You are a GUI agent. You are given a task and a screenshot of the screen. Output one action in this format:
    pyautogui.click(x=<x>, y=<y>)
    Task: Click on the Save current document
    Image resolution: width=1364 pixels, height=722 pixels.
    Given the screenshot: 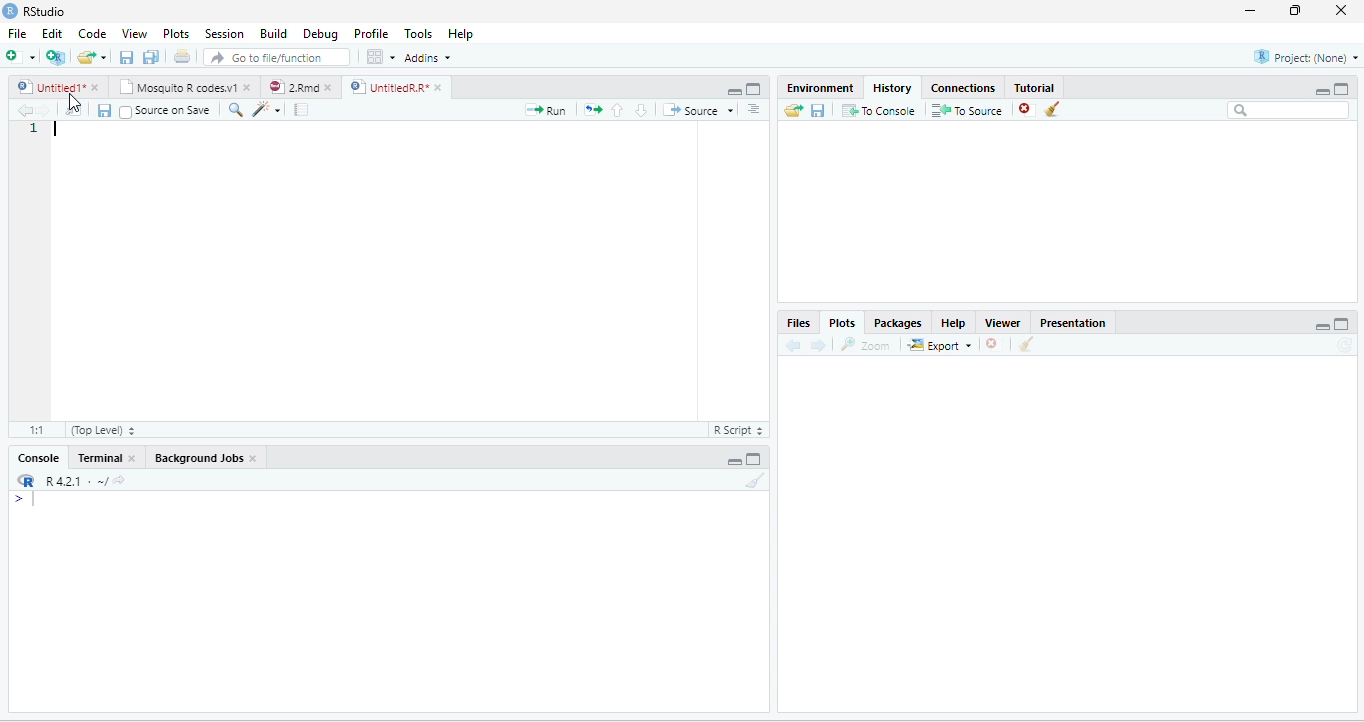 What is the action you would take?
    pyautogui.click(x=104, y=111)
    